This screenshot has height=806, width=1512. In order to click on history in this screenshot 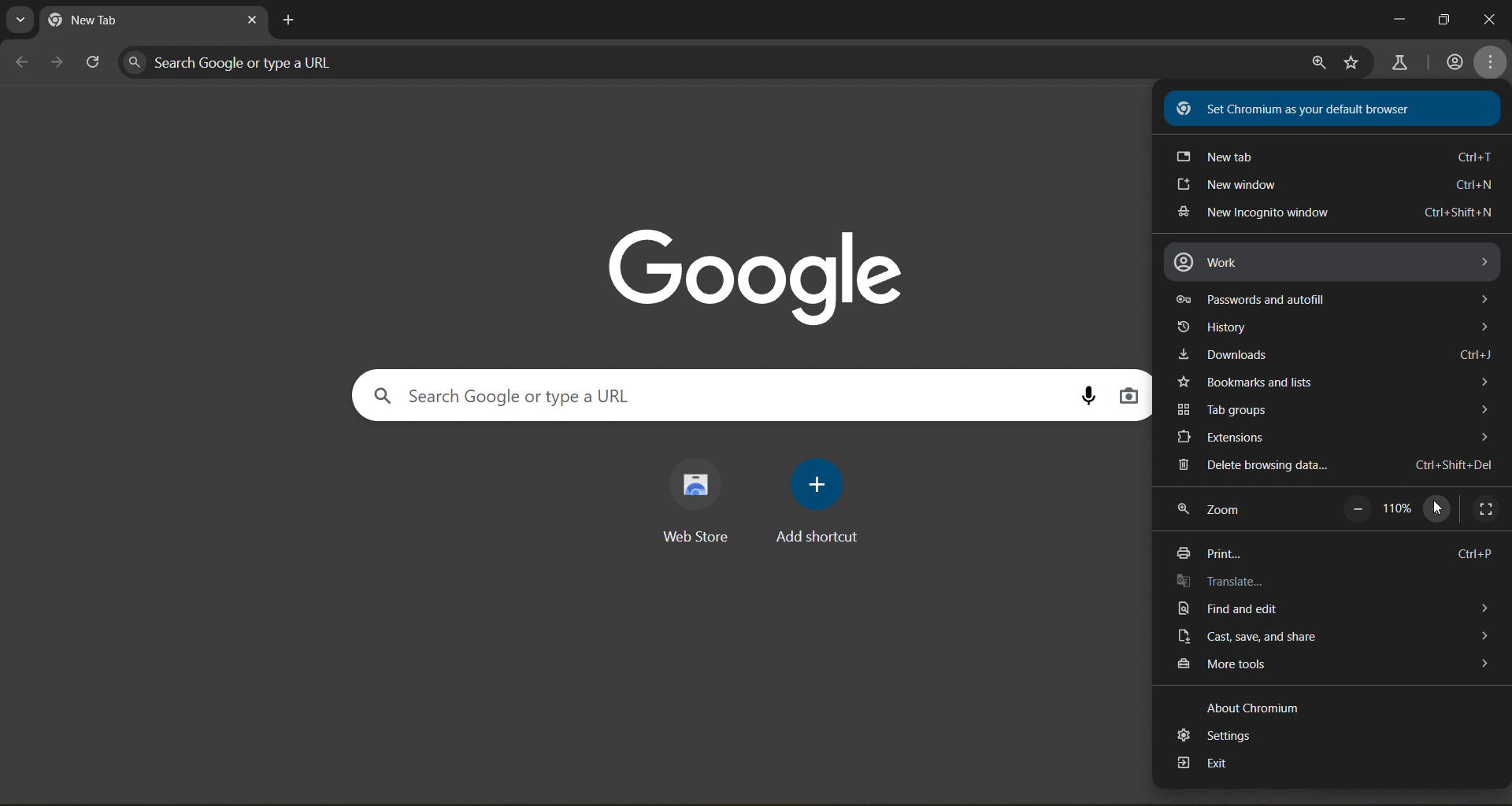, I will do `click(1336, 327)`.